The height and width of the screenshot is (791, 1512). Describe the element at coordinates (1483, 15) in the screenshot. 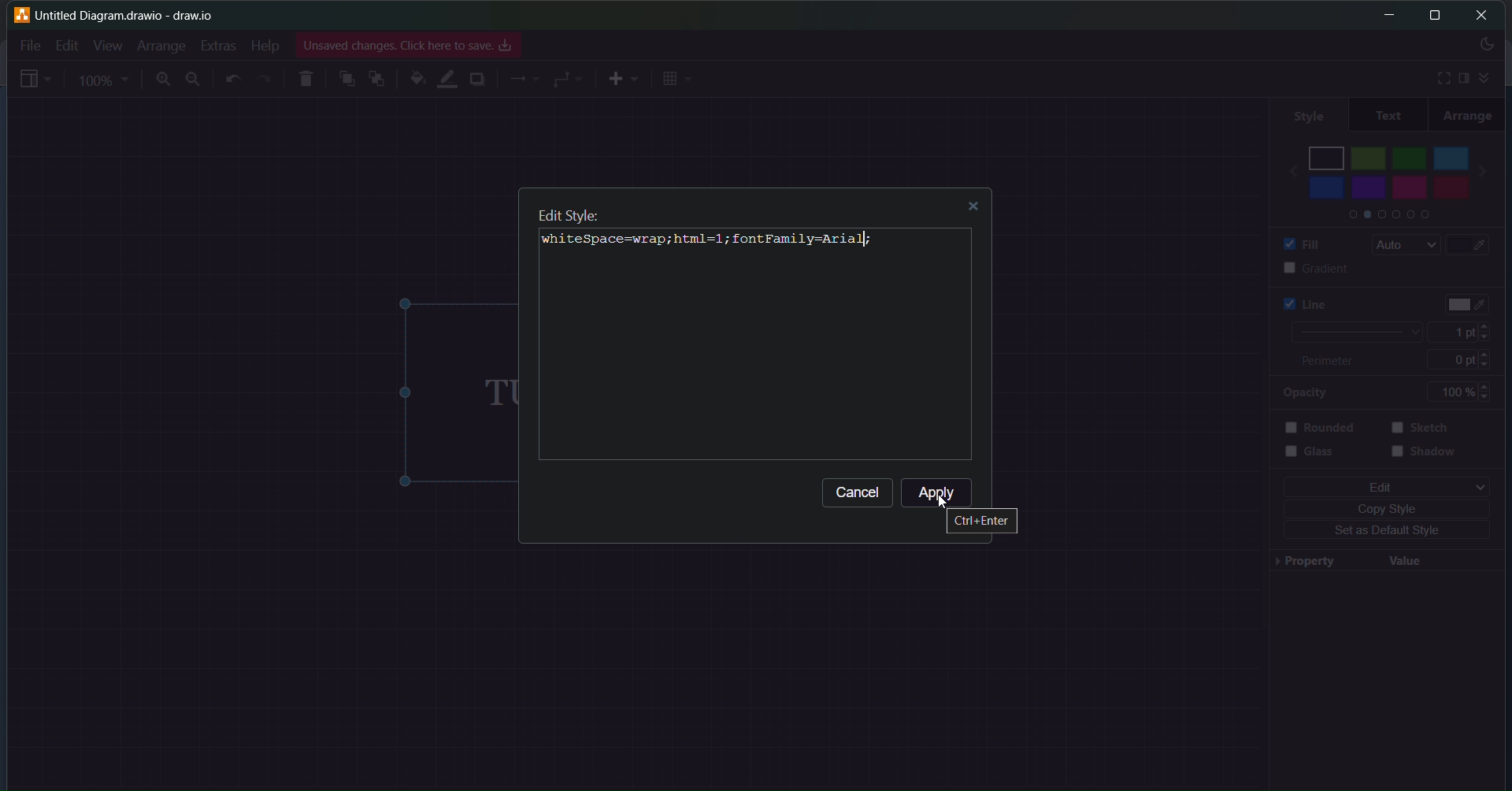

I see `close` at that location.